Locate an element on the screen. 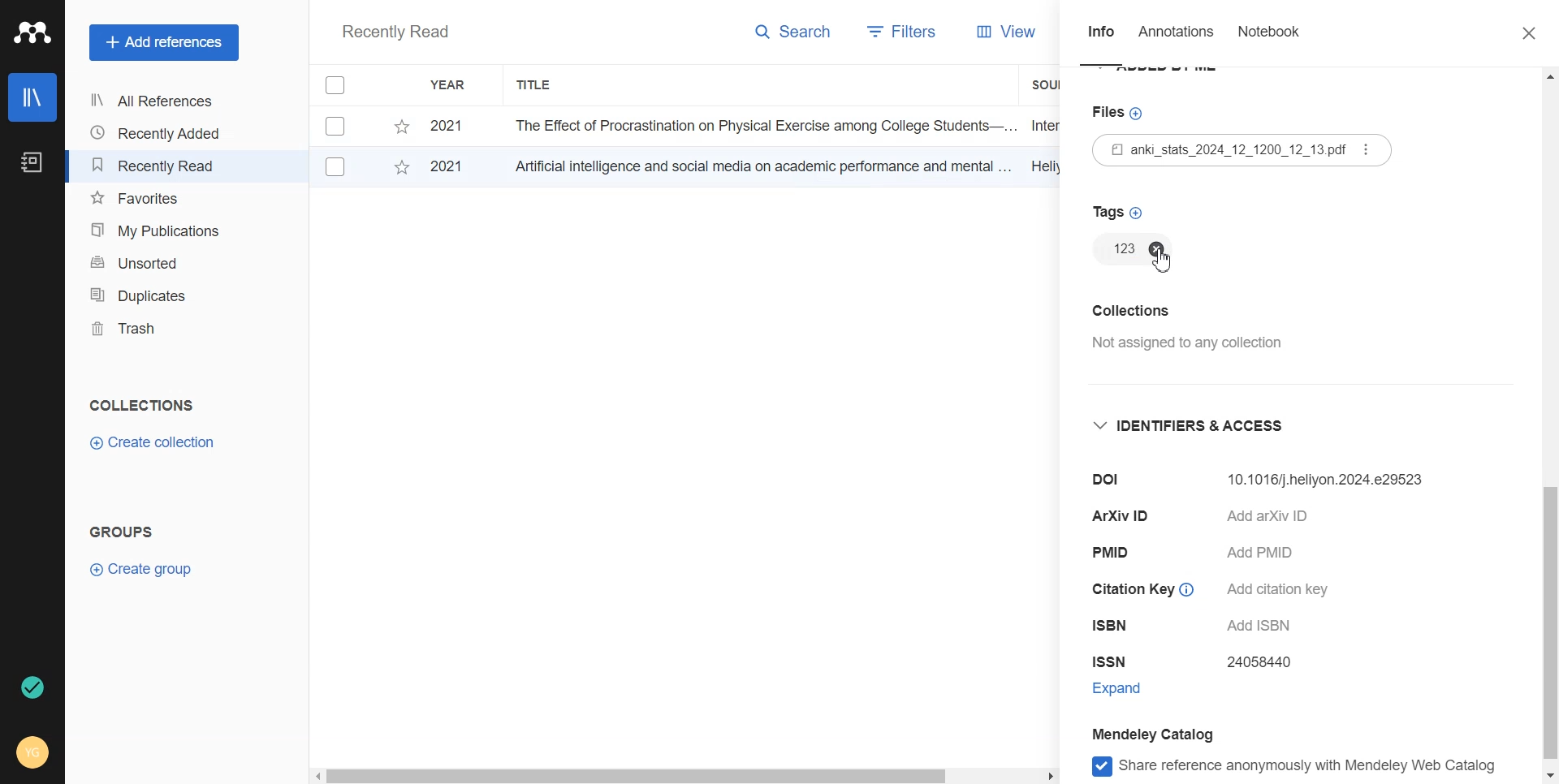 The width and height of the screenshot is (1559, 784). Annotations is located at coordinates (1178, 36).